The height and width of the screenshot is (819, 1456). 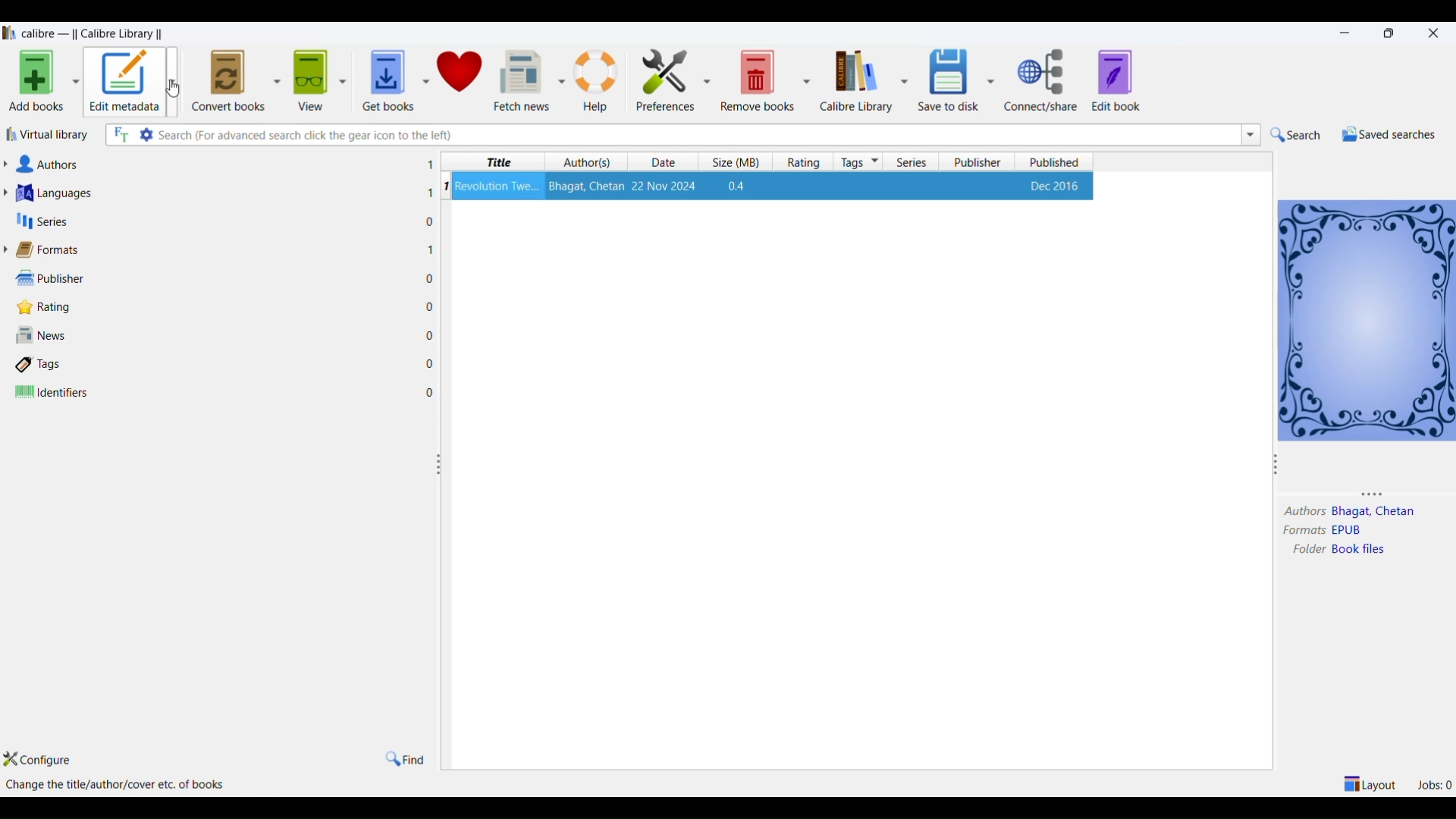 What do you see at coordinates (95, 32) in the screenshot?
I see `application name ` at bounding box center [95, 32].